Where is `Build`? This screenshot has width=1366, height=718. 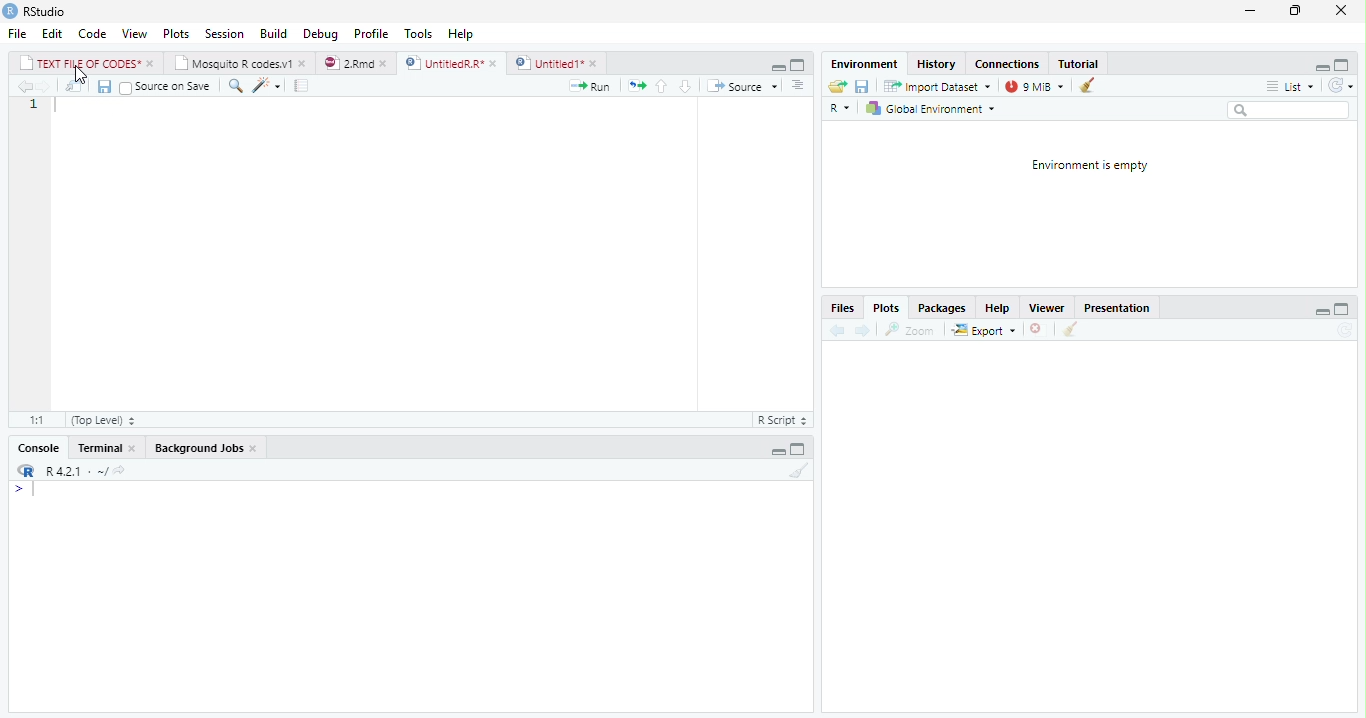
Build is located at coordinates (275, 33).